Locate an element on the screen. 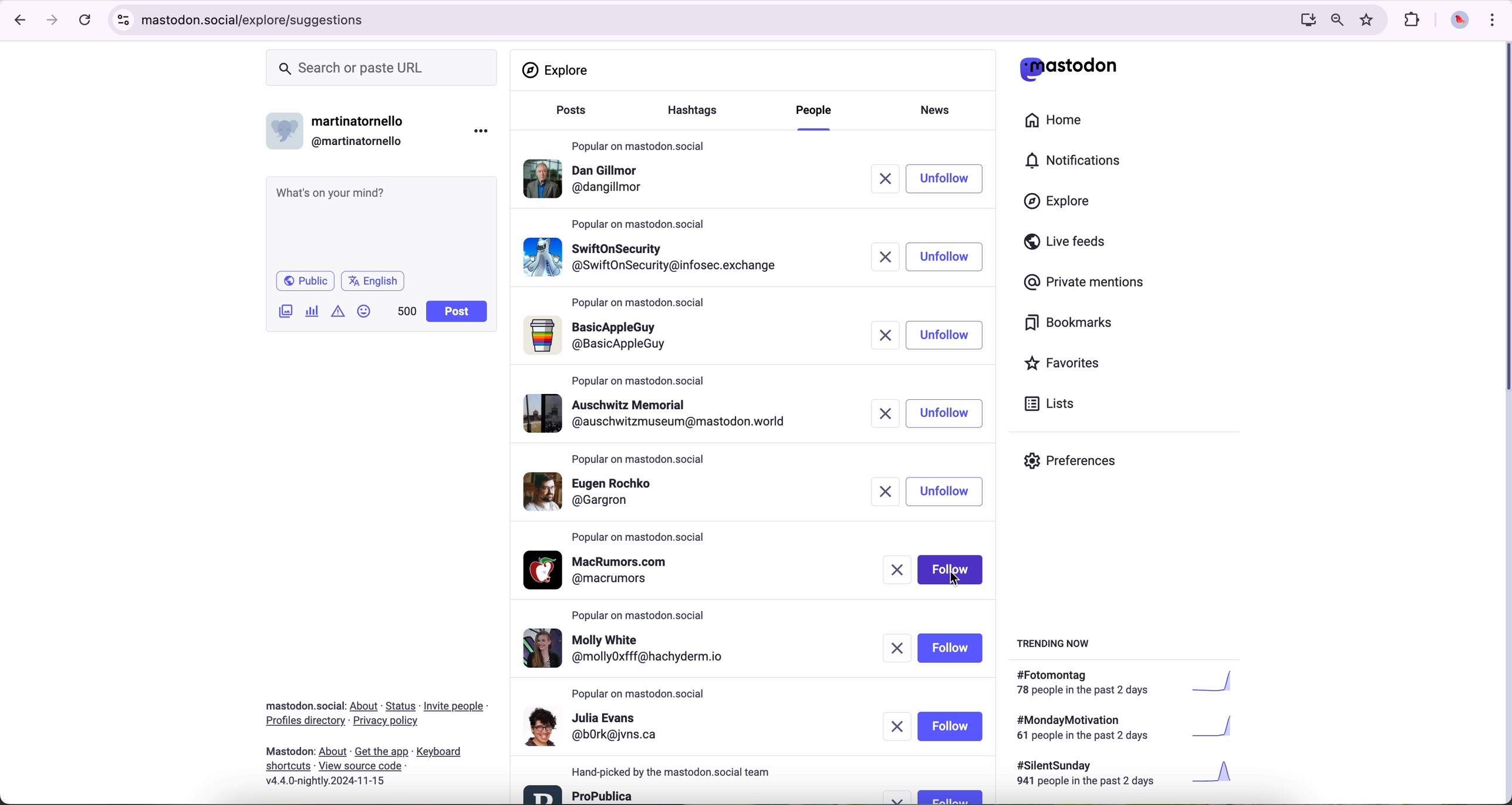 This screenshot has height=805, width=1512. more options is located at coordinates (484, 130).